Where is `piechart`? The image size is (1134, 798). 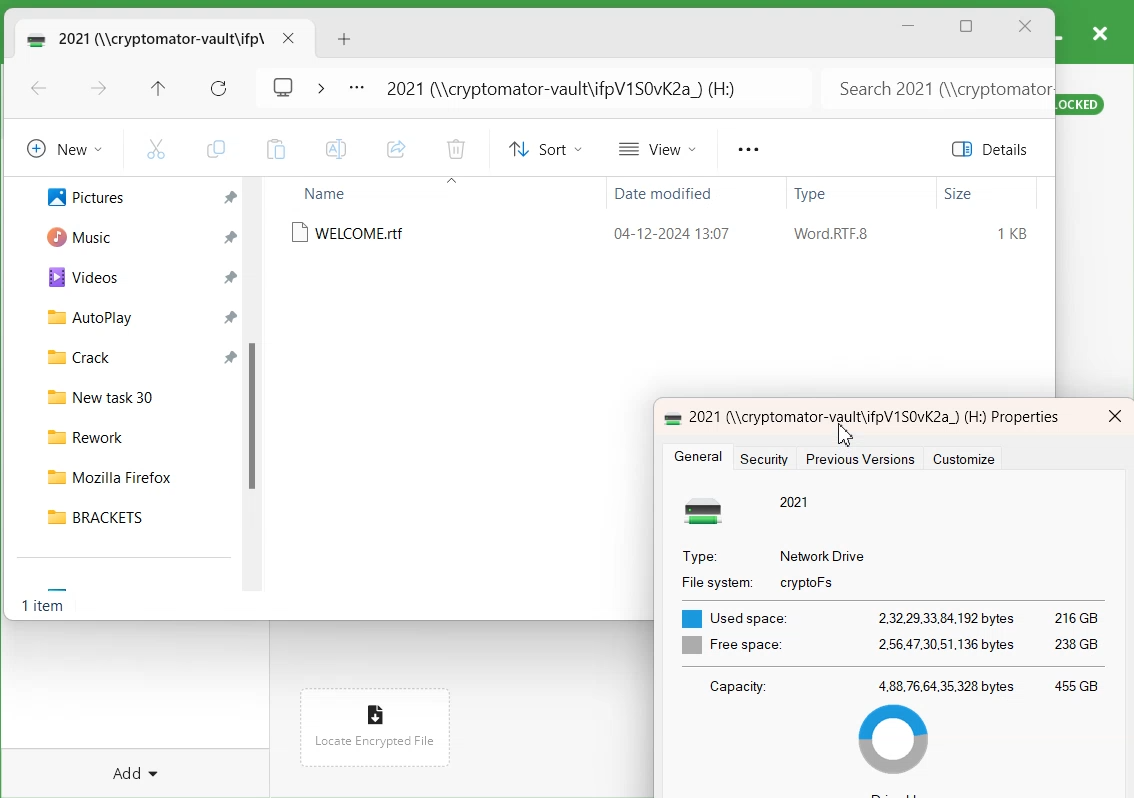 piechart is located at coordinates (898, 743).